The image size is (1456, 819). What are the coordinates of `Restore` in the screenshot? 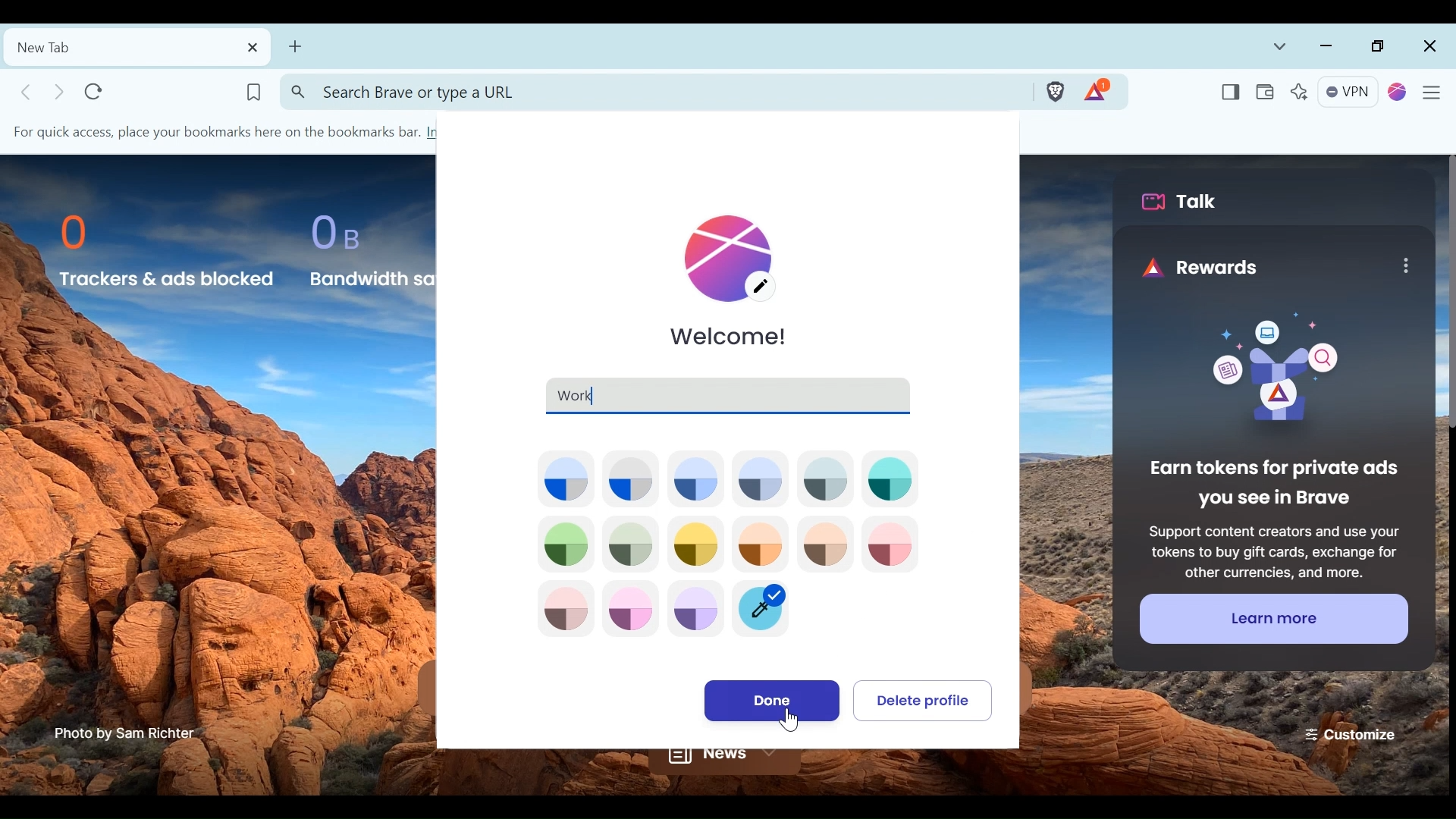 It's located at (1379, 47).